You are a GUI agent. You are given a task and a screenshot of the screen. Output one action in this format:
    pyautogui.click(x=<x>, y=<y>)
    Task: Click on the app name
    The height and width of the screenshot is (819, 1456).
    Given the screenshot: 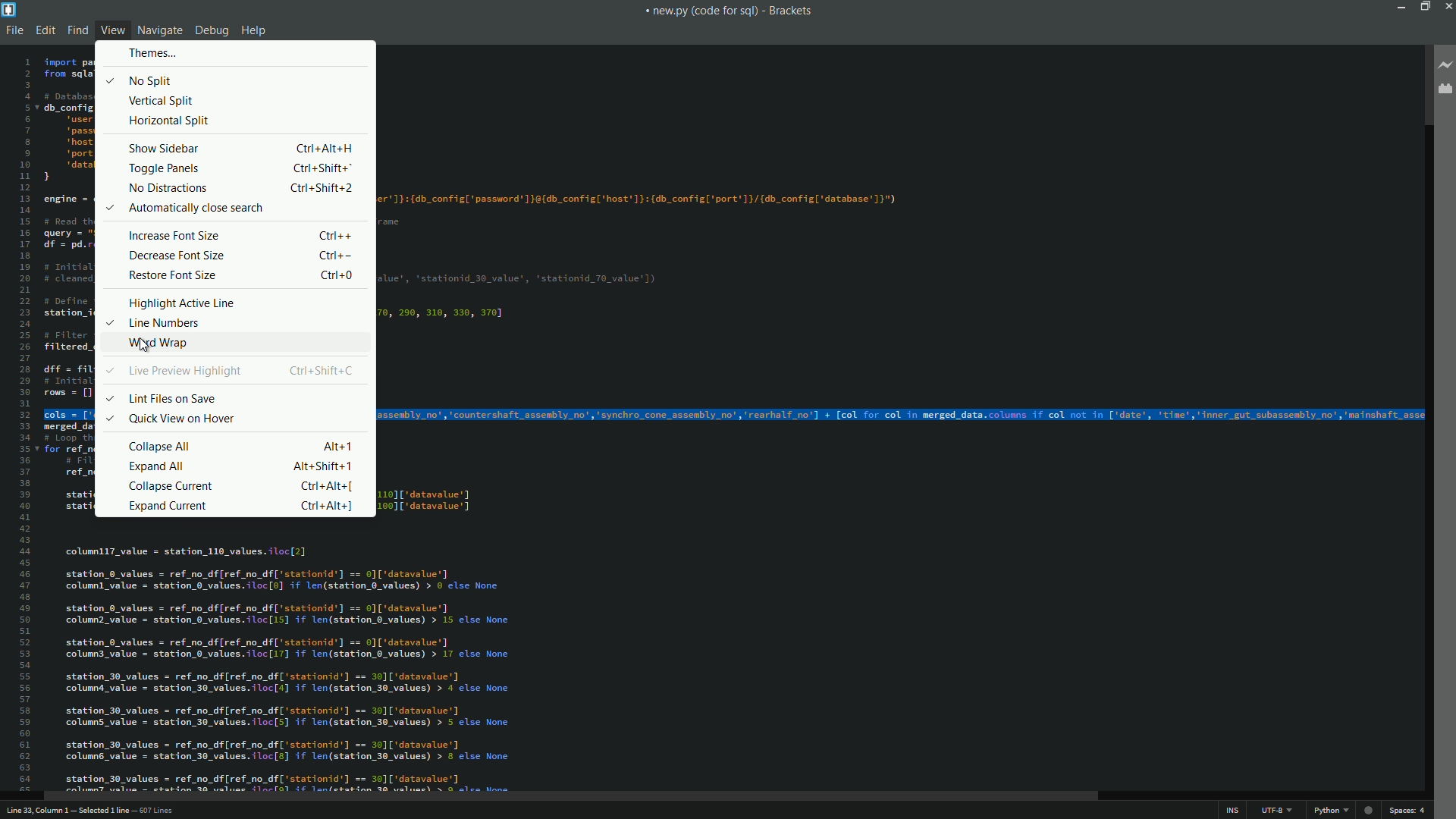 What is the action you would take?
    pyautogui.click(x=790, y=11)
    